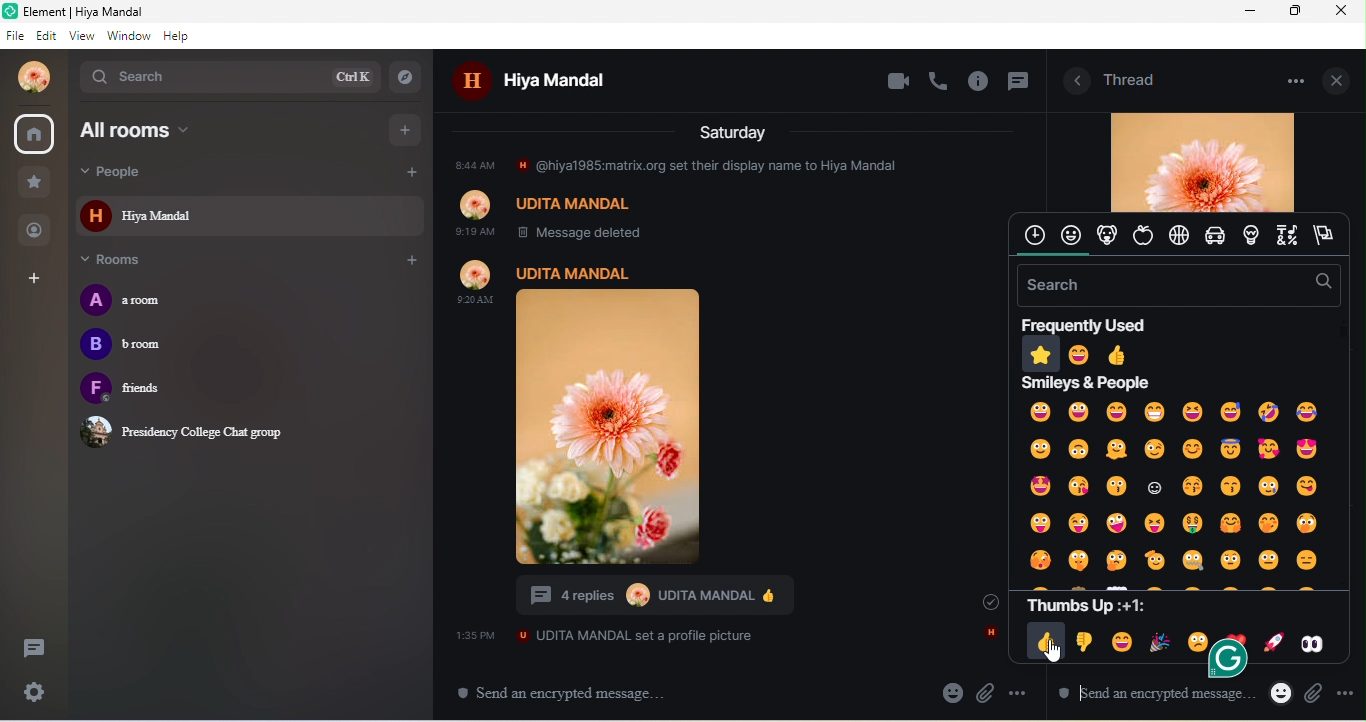  I want to click on minimize, so click(1250, 12).